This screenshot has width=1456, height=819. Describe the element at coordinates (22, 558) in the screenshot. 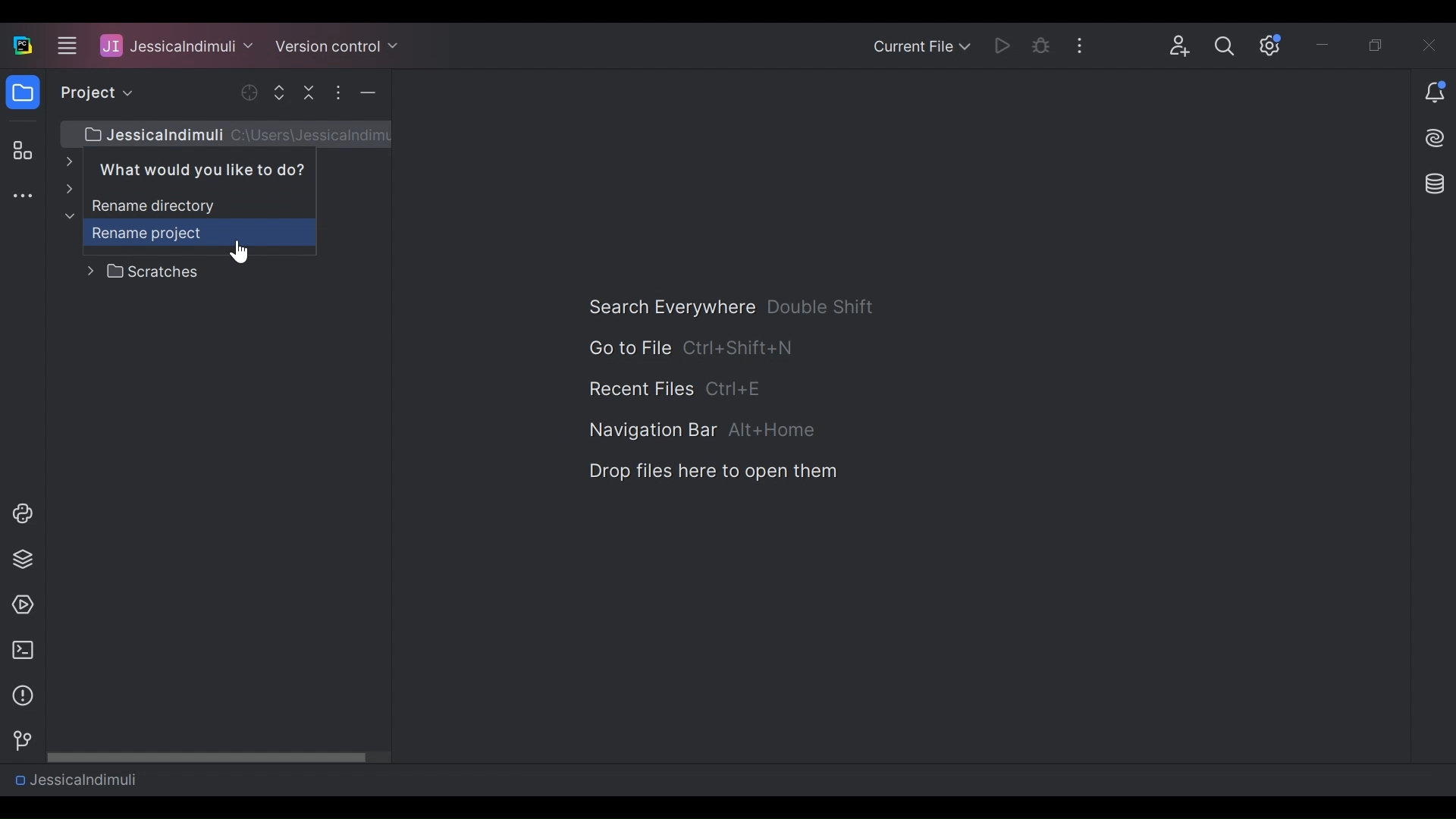

I see `layers` at that location.